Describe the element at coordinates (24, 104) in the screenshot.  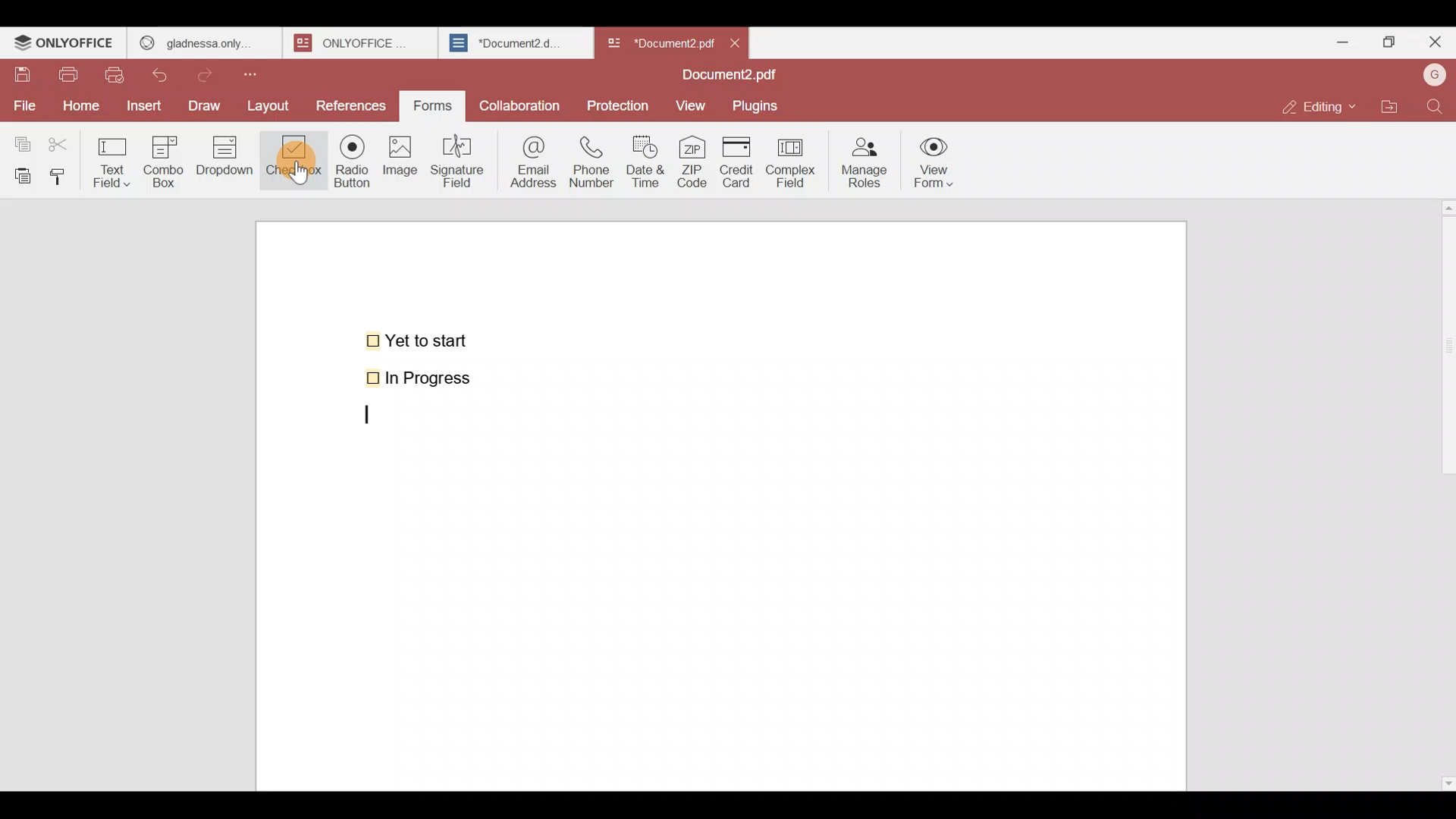
I see `File` at that location.